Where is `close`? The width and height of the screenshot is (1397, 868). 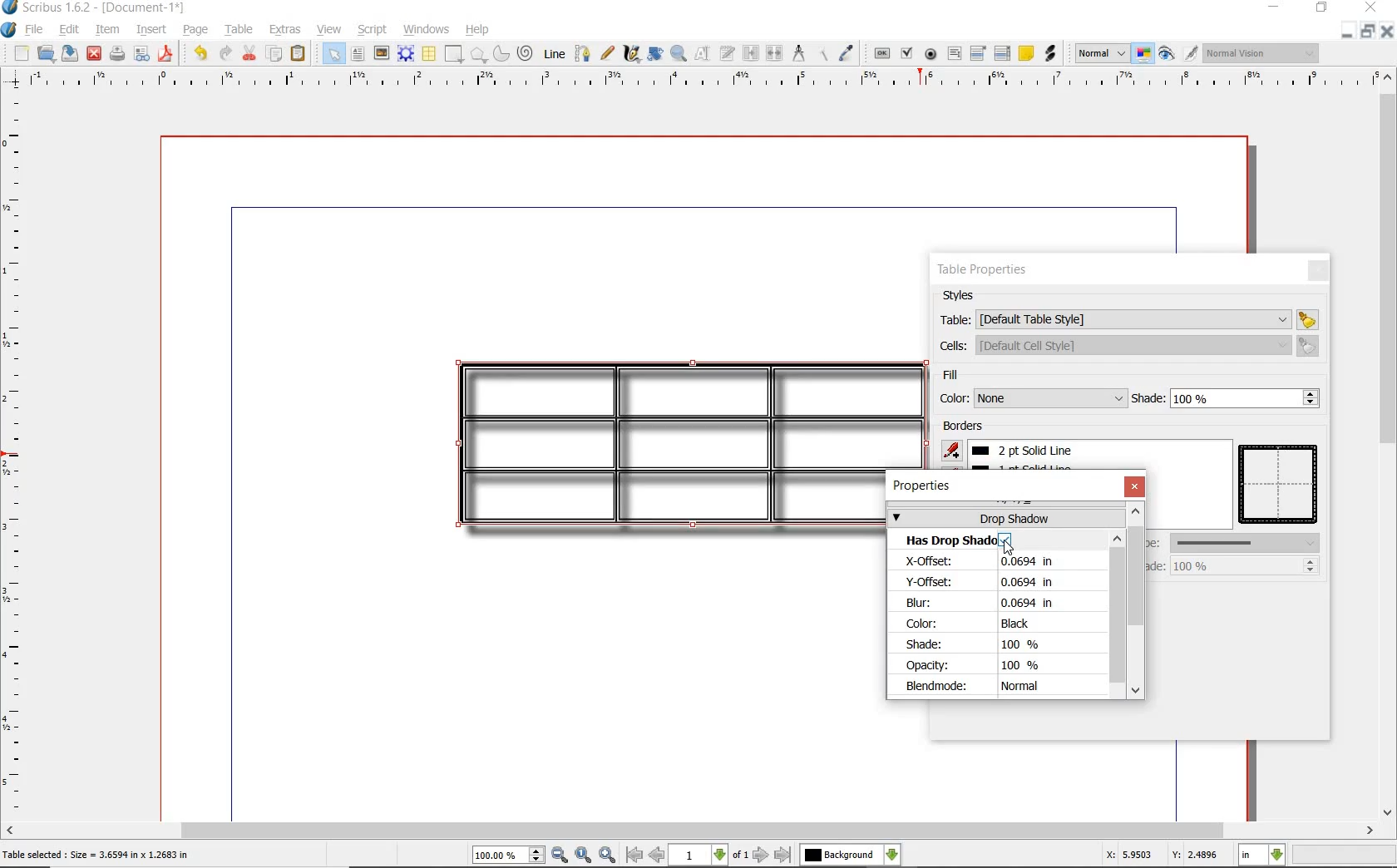
close is located at coordinates (1317, 270).